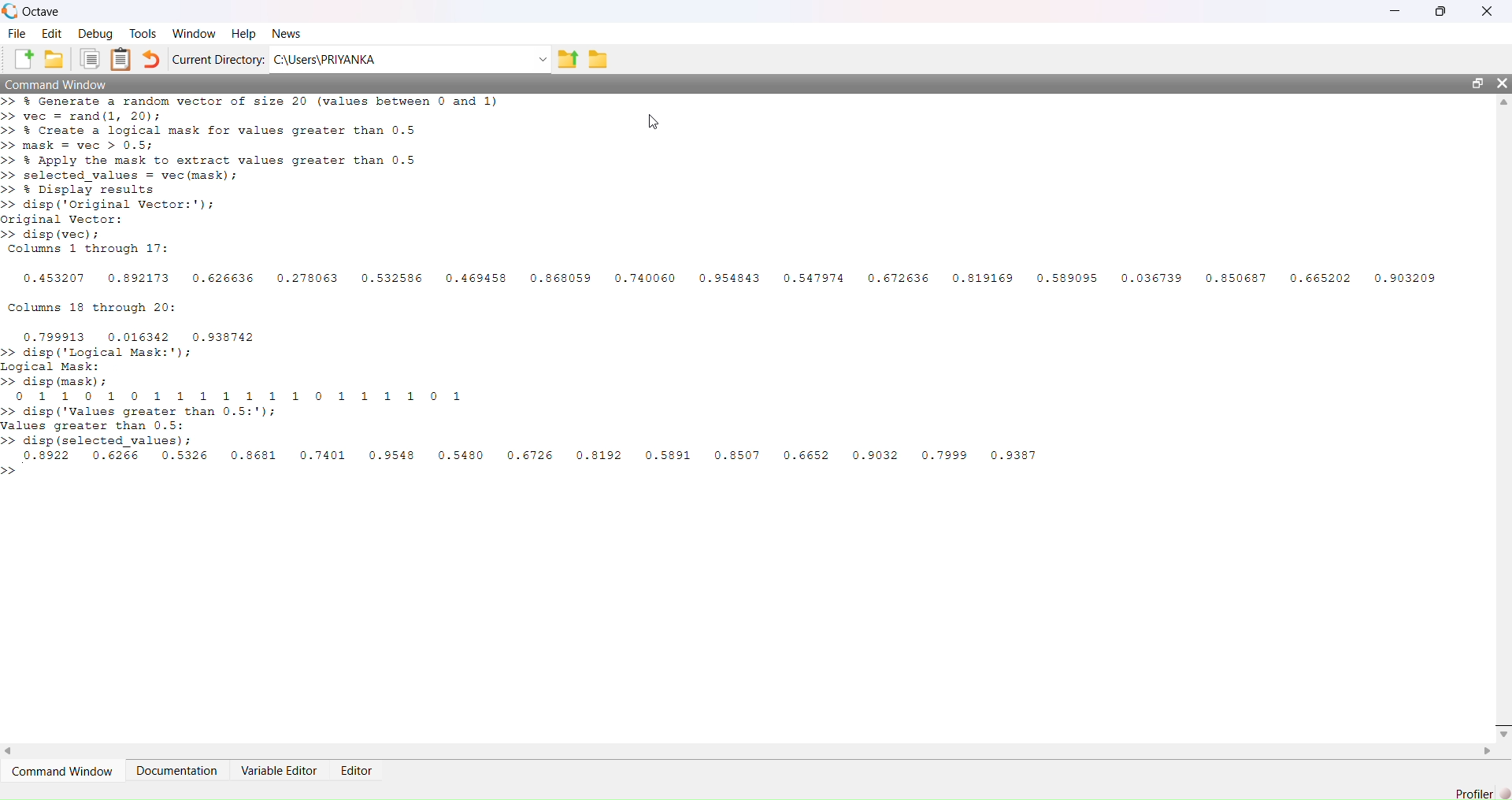  Describe the element at coordinates (178, 771) in the screenshot. I see `Documentation` at that location.